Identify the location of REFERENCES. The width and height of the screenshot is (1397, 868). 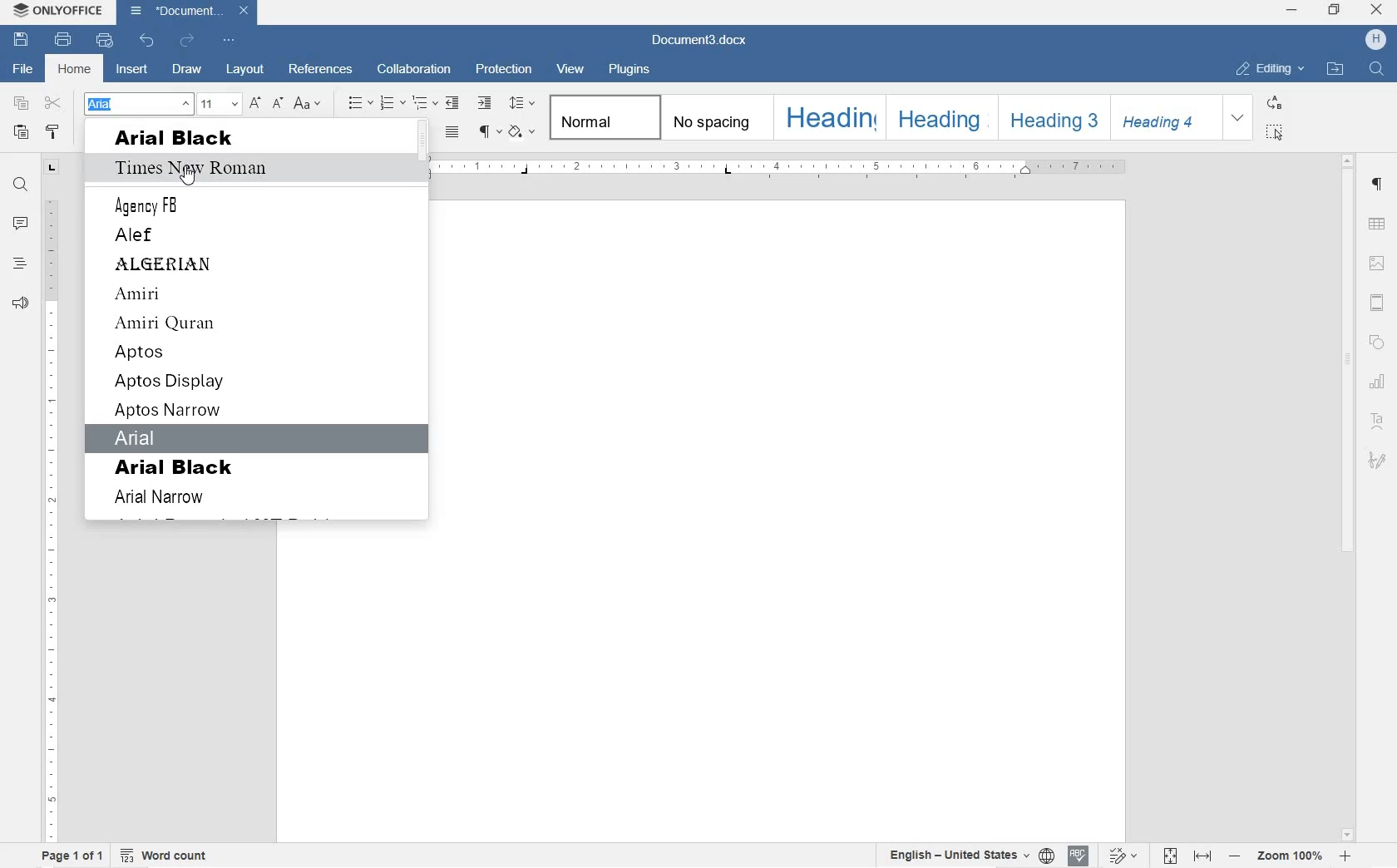
(320, 69).